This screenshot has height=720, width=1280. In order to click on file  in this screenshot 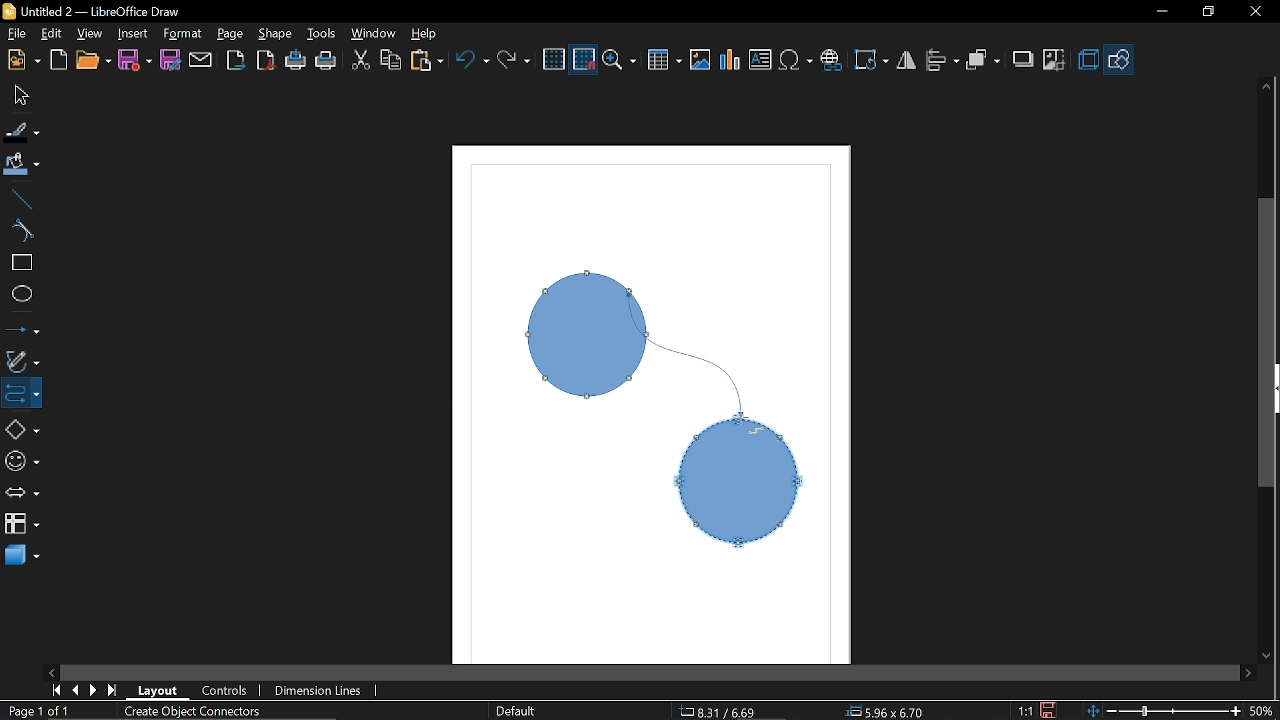, I will do `click(15, 34)`.